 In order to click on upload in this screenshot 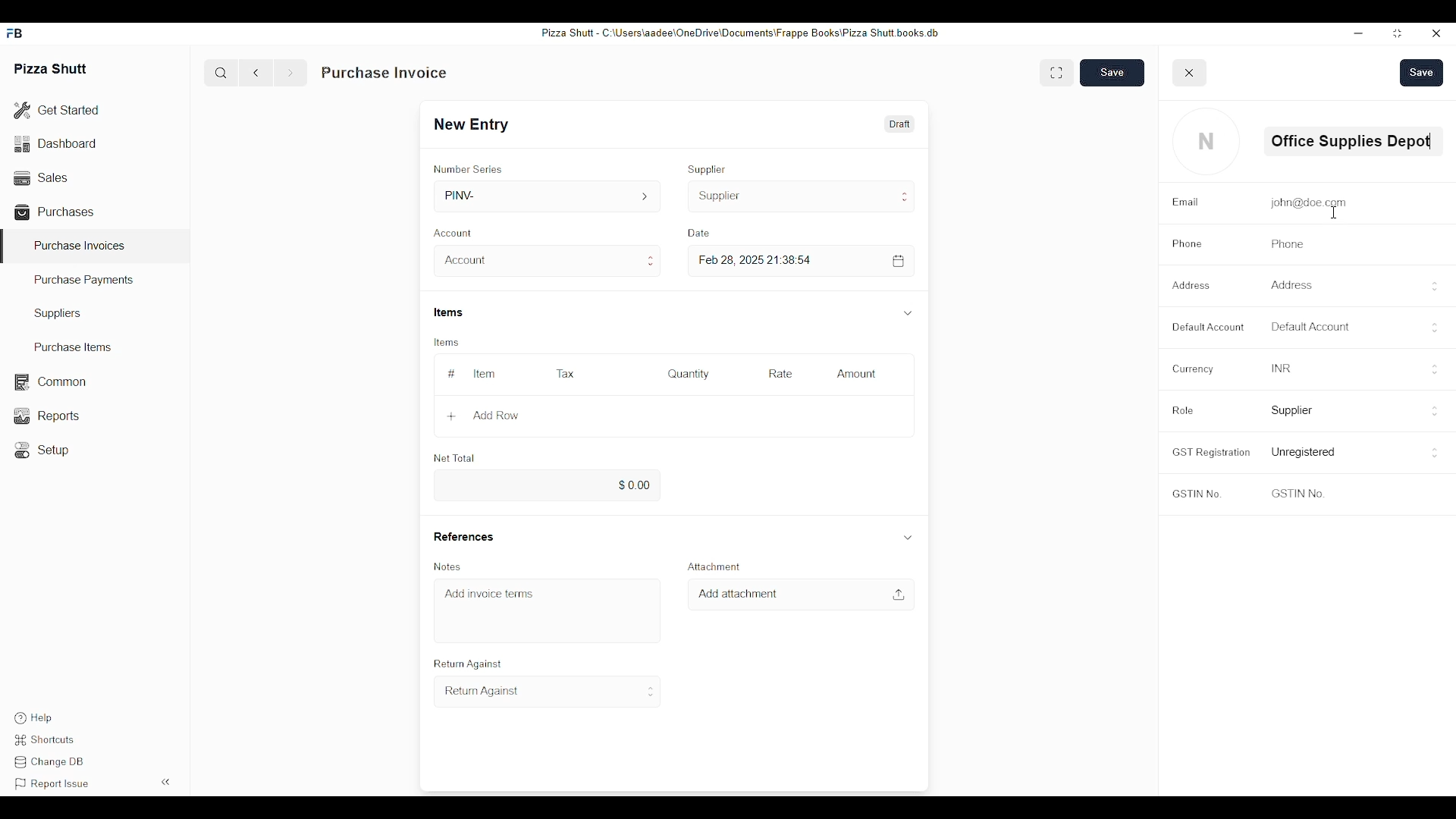, I will do `click(898, 595)`.